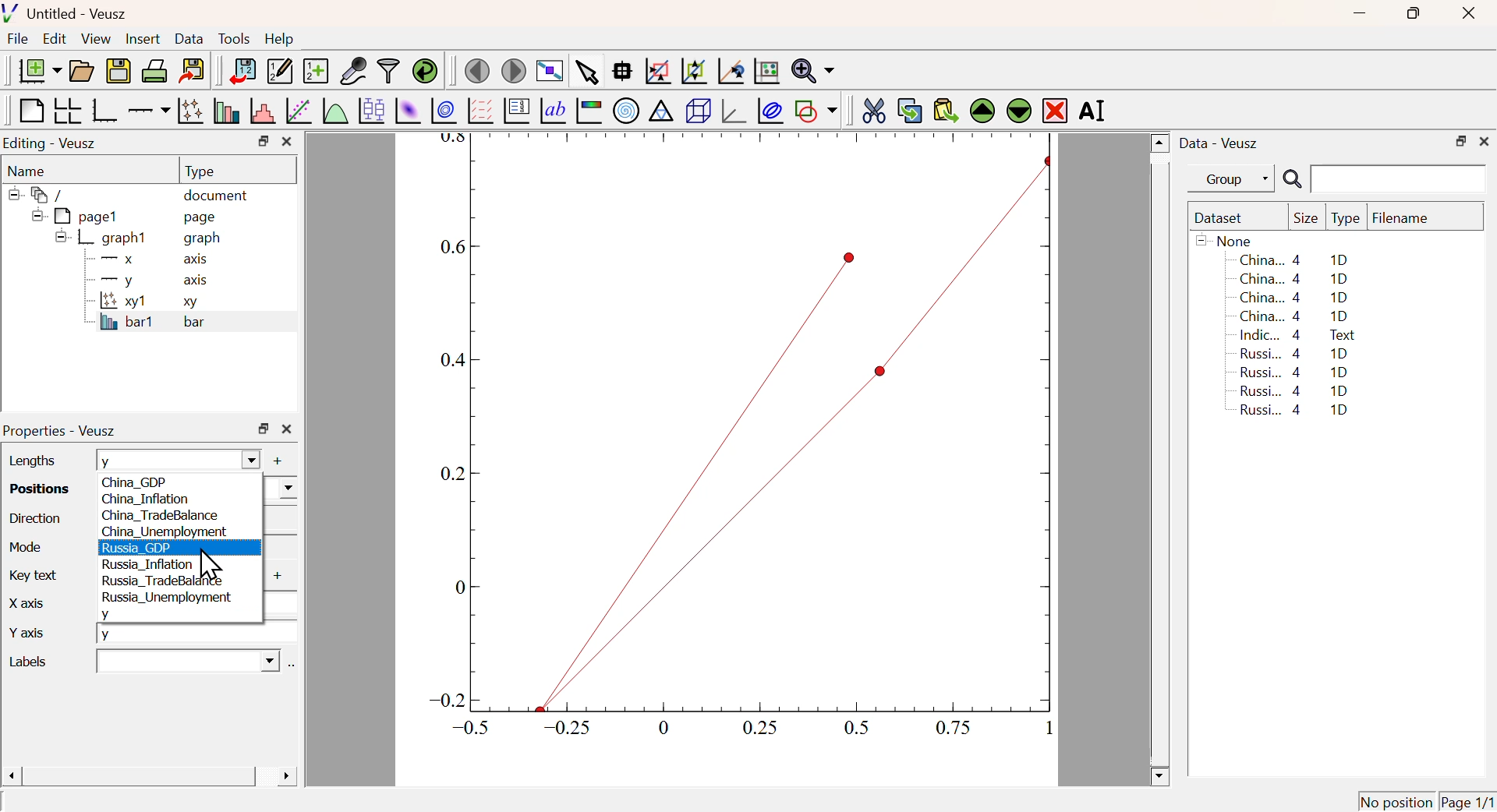  What do you see at coordinates (145, 302) in the screenshot?
I see `xy1 xy` at bounding box center [145, 302].